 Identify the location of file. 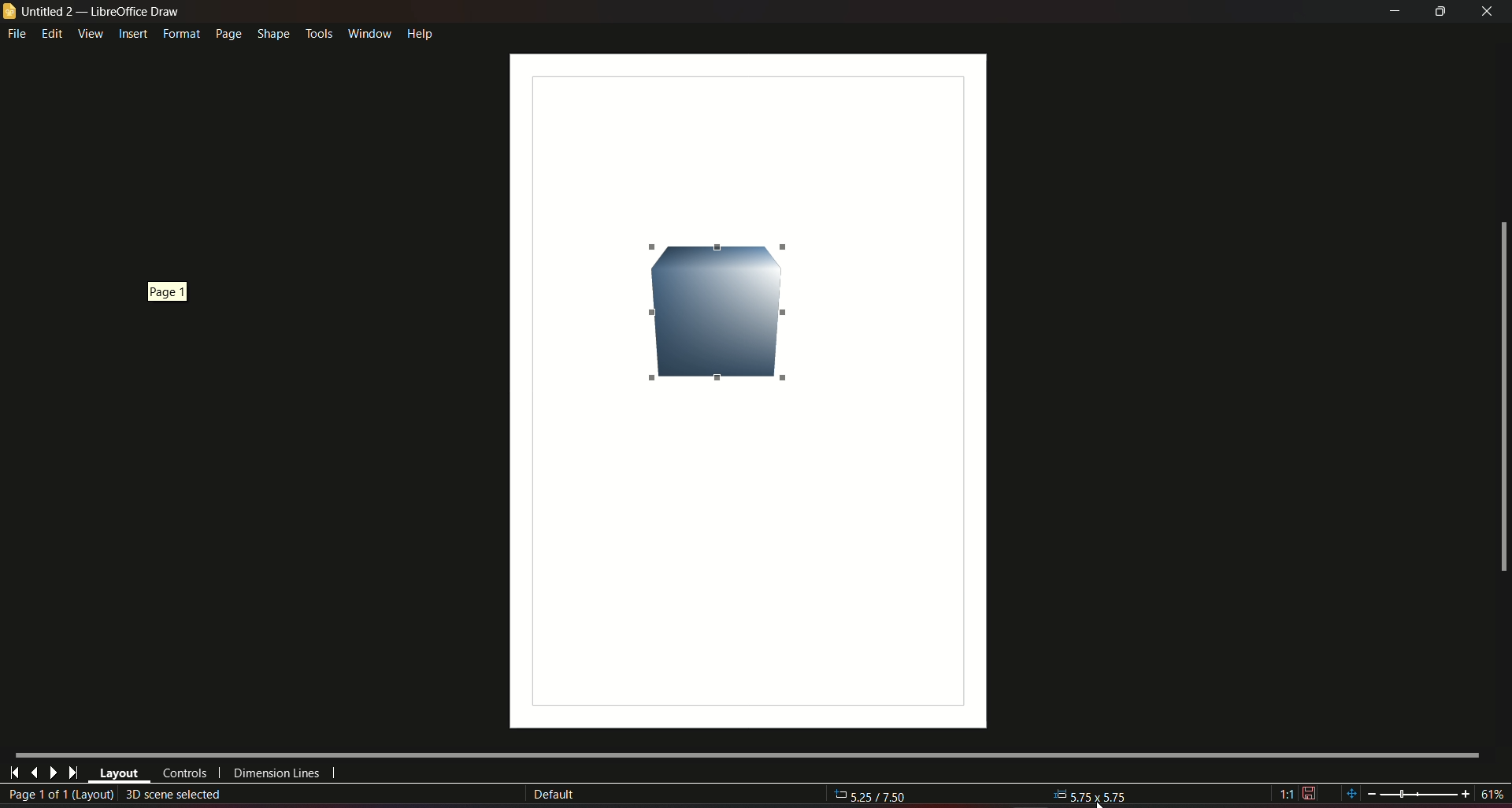
(18, 35).